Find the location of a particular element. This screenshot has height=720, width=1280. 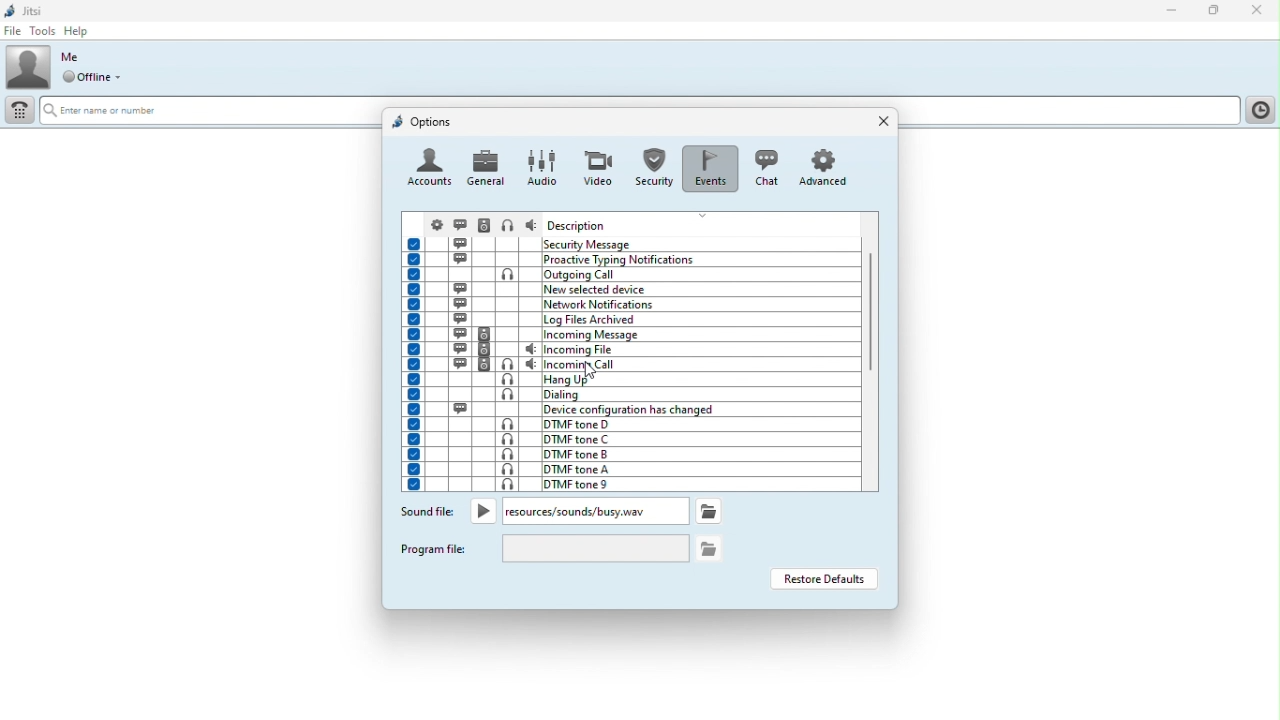

Sound file is located at coordinates (428, 514).